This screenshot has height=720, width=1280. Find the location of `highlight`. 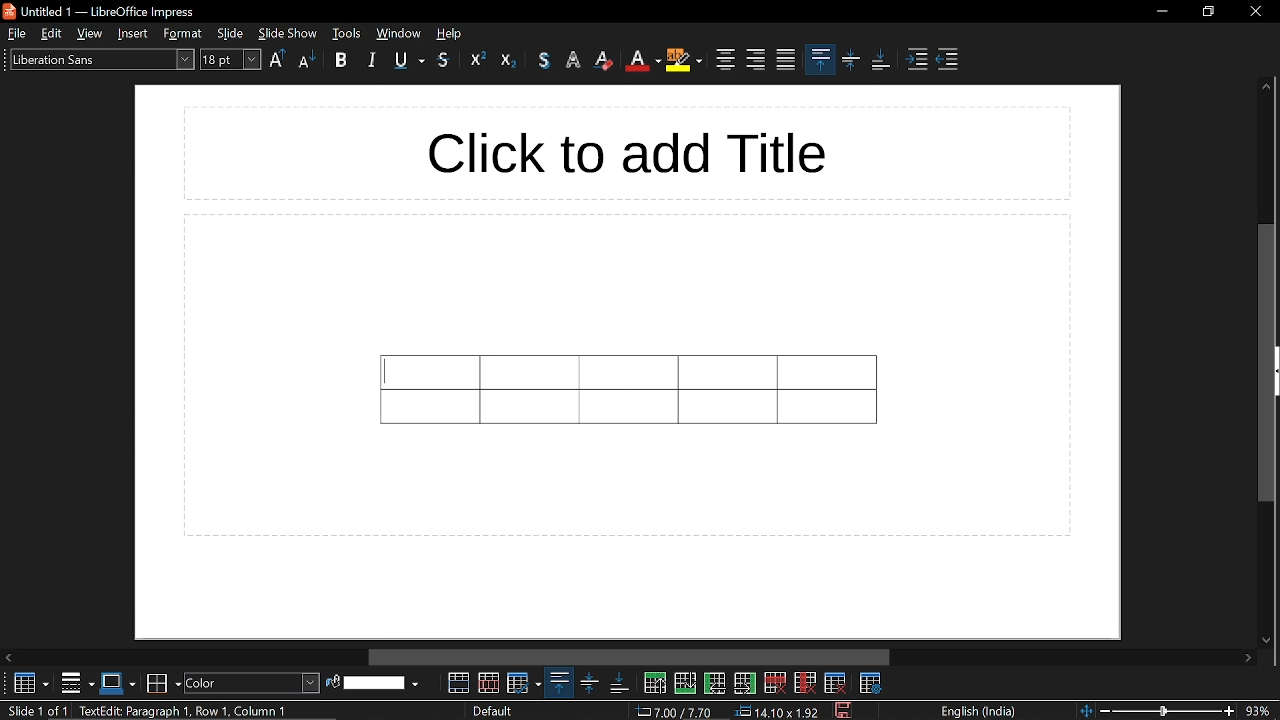

highlight is located at coordinates (574, 58).